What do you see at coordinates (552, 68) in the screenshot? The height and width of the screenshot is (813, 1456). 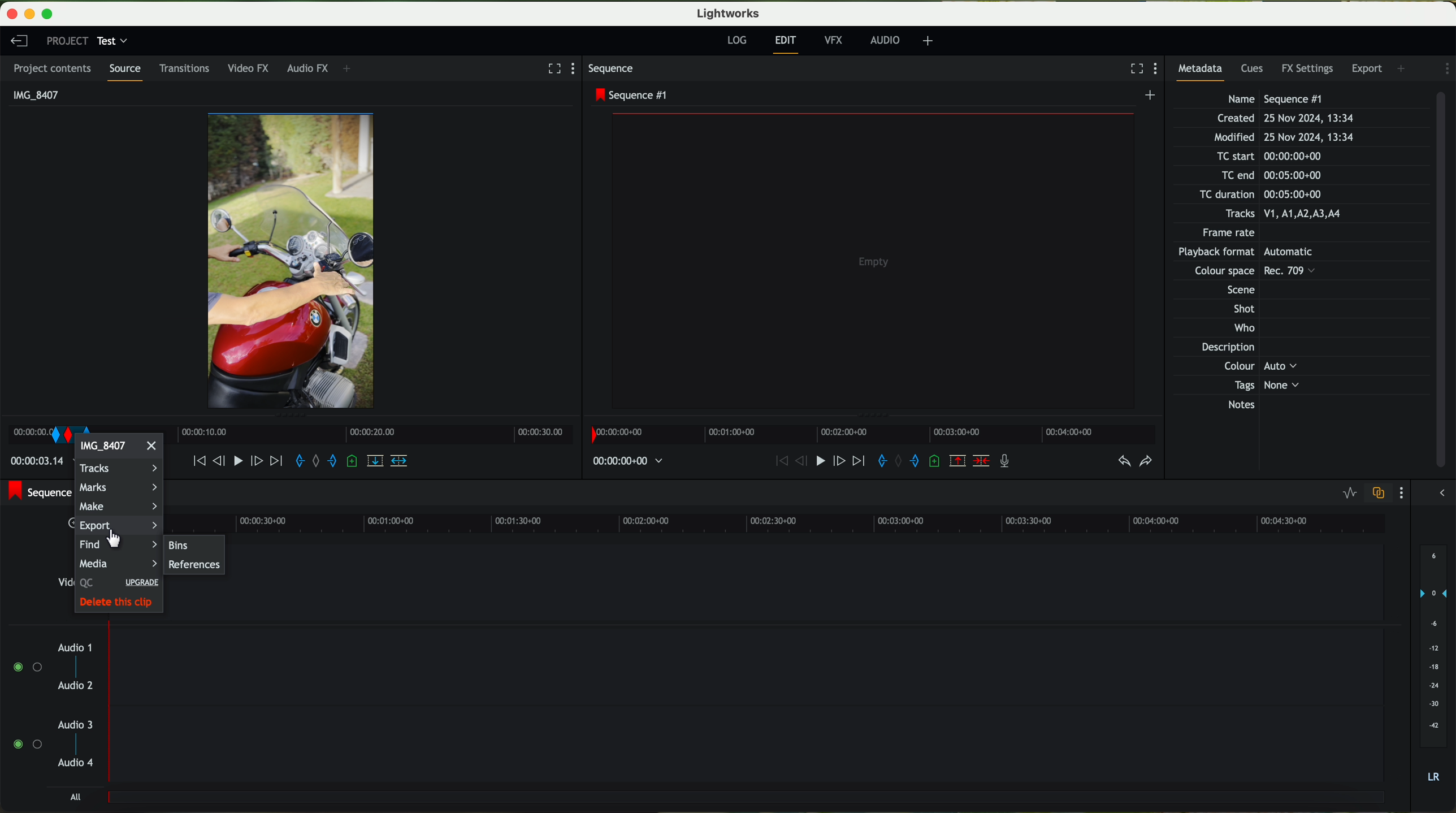 I see `fullscreen` at bounding box center [552, 68].